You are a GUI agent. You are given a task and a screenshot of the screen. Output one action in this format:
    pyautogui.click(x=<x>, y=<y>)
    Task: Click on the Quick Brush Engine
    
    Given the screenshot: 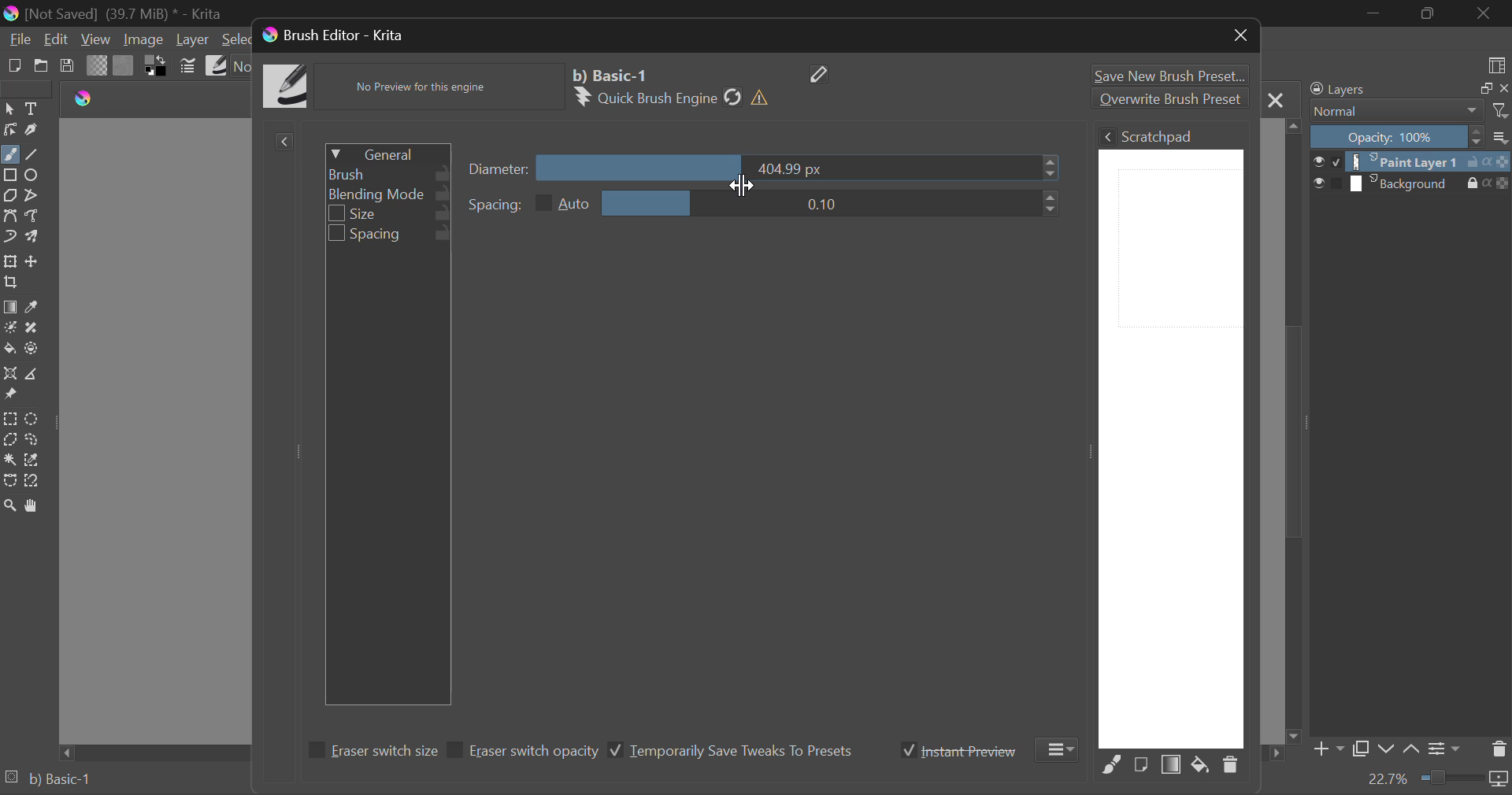 What is the action you would take?
    pyautogui.click(x=675, y=98)
    